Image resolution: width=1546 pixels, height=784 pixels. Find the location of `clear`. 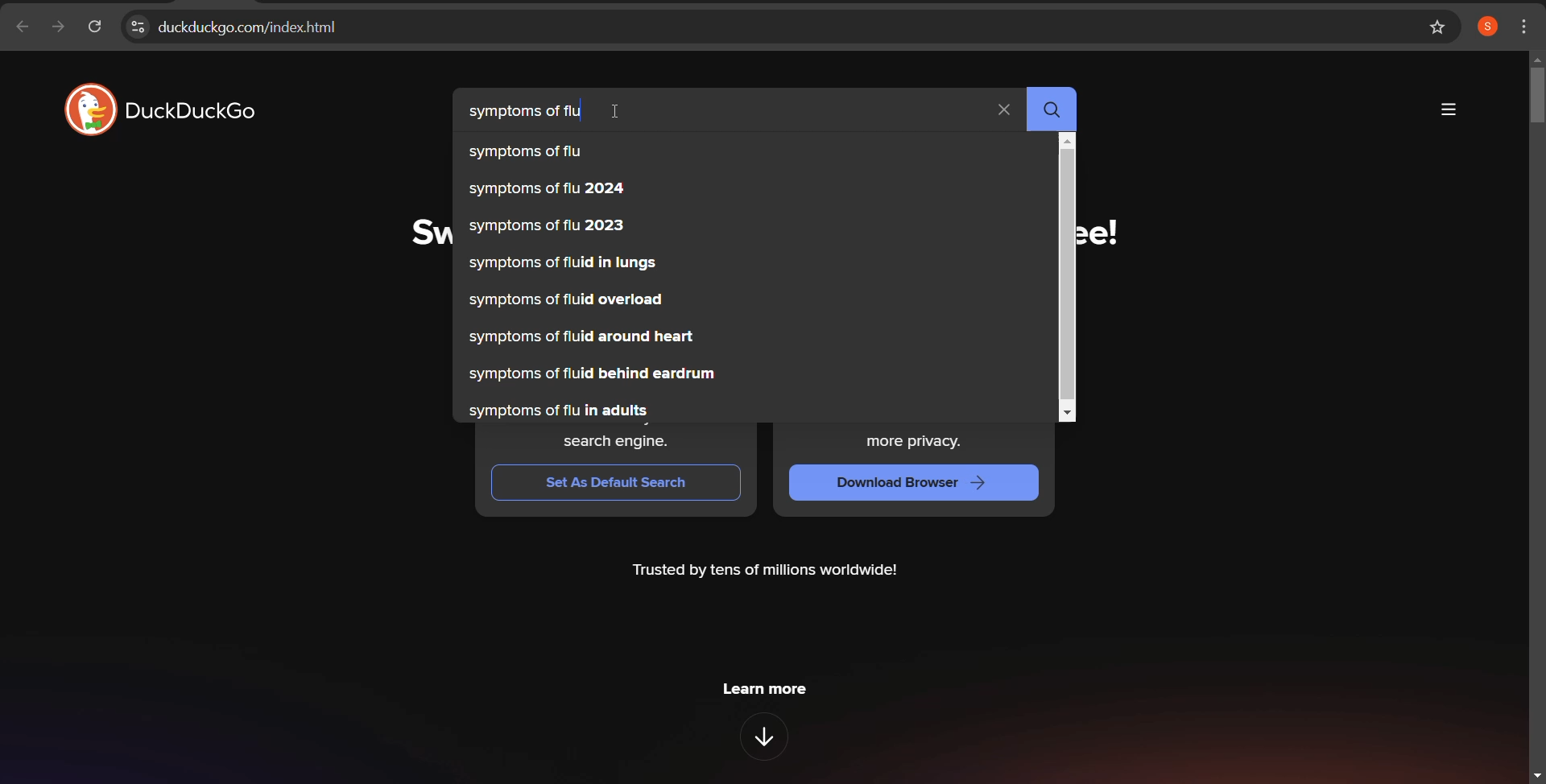

clear is located at coordinates (1002, 110).